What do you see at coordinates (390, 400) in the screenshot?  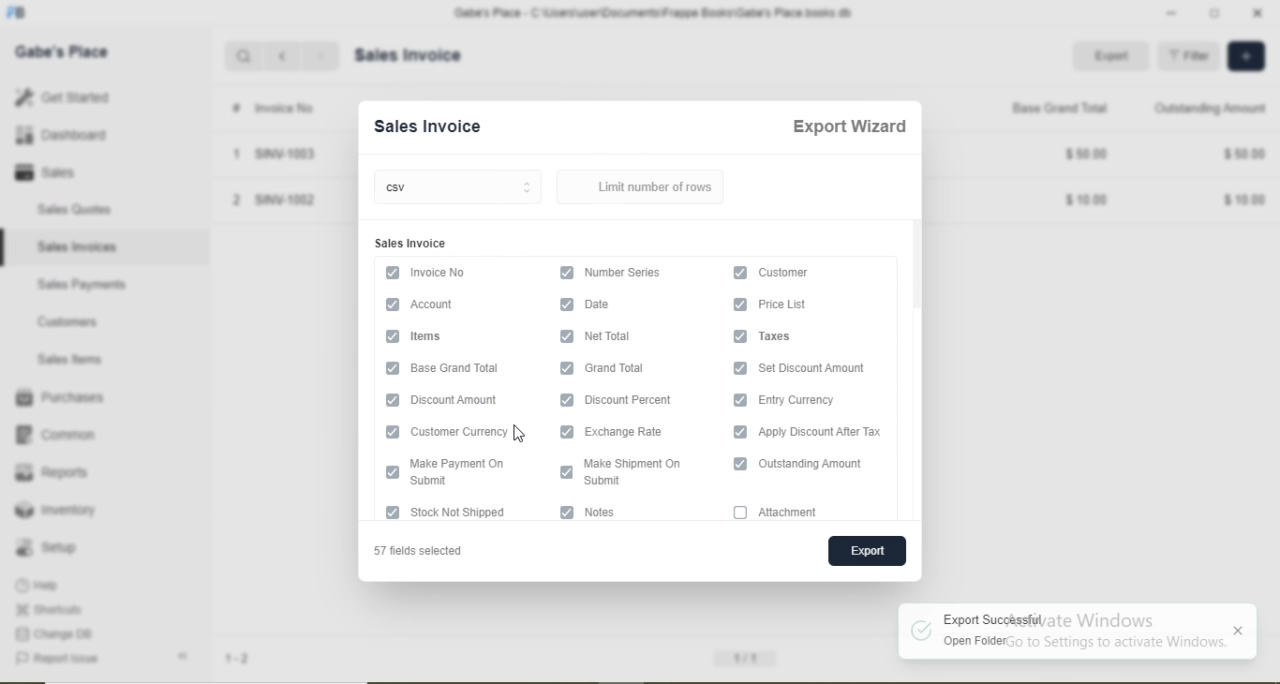 I see `checkbox` at bounding box center [390, 400].